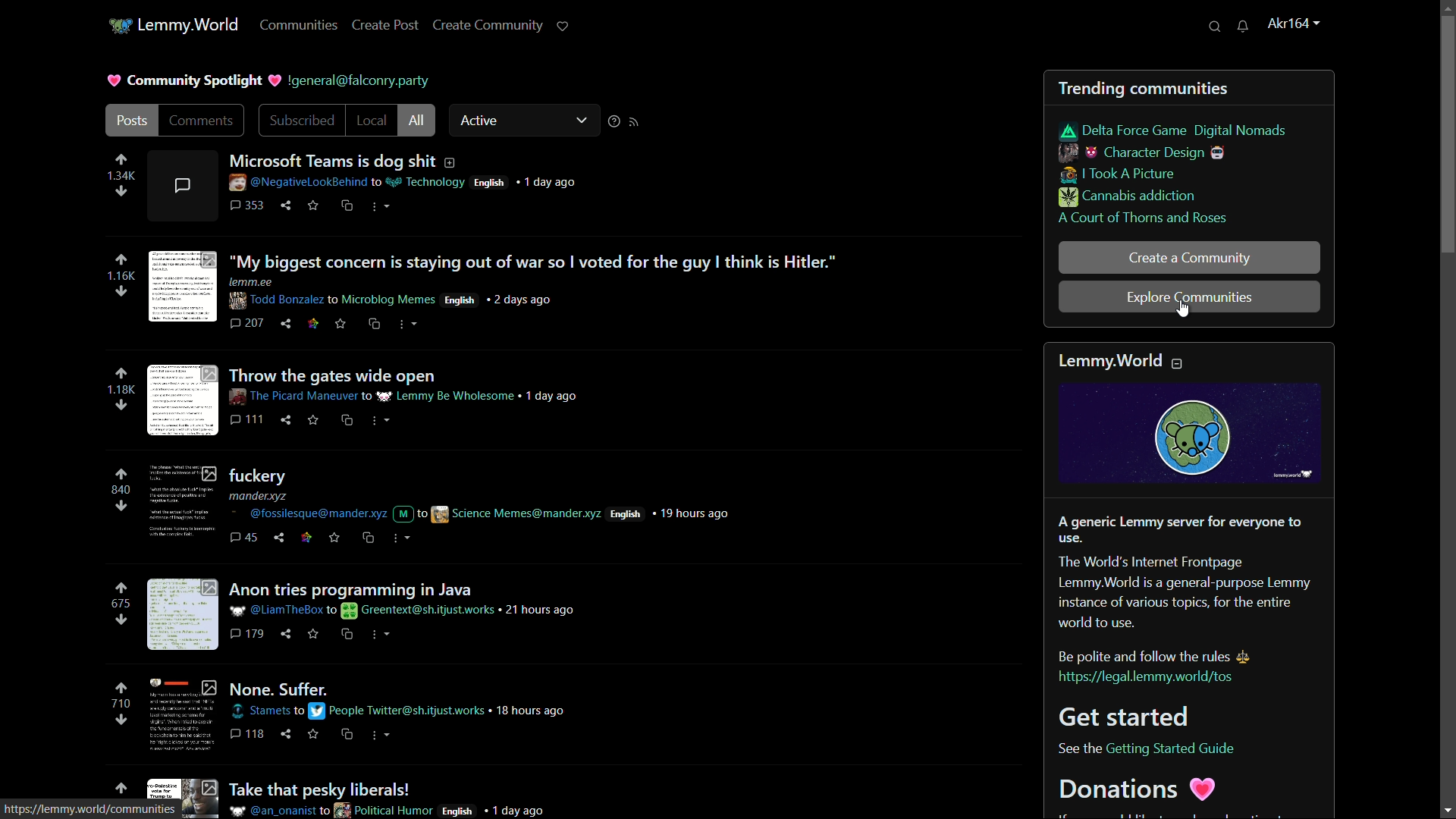 The height and width of the screenshot is (819, 1456). Describe the element at coordinates (122, 373) in the screenshot. I see `upvote` at that location.